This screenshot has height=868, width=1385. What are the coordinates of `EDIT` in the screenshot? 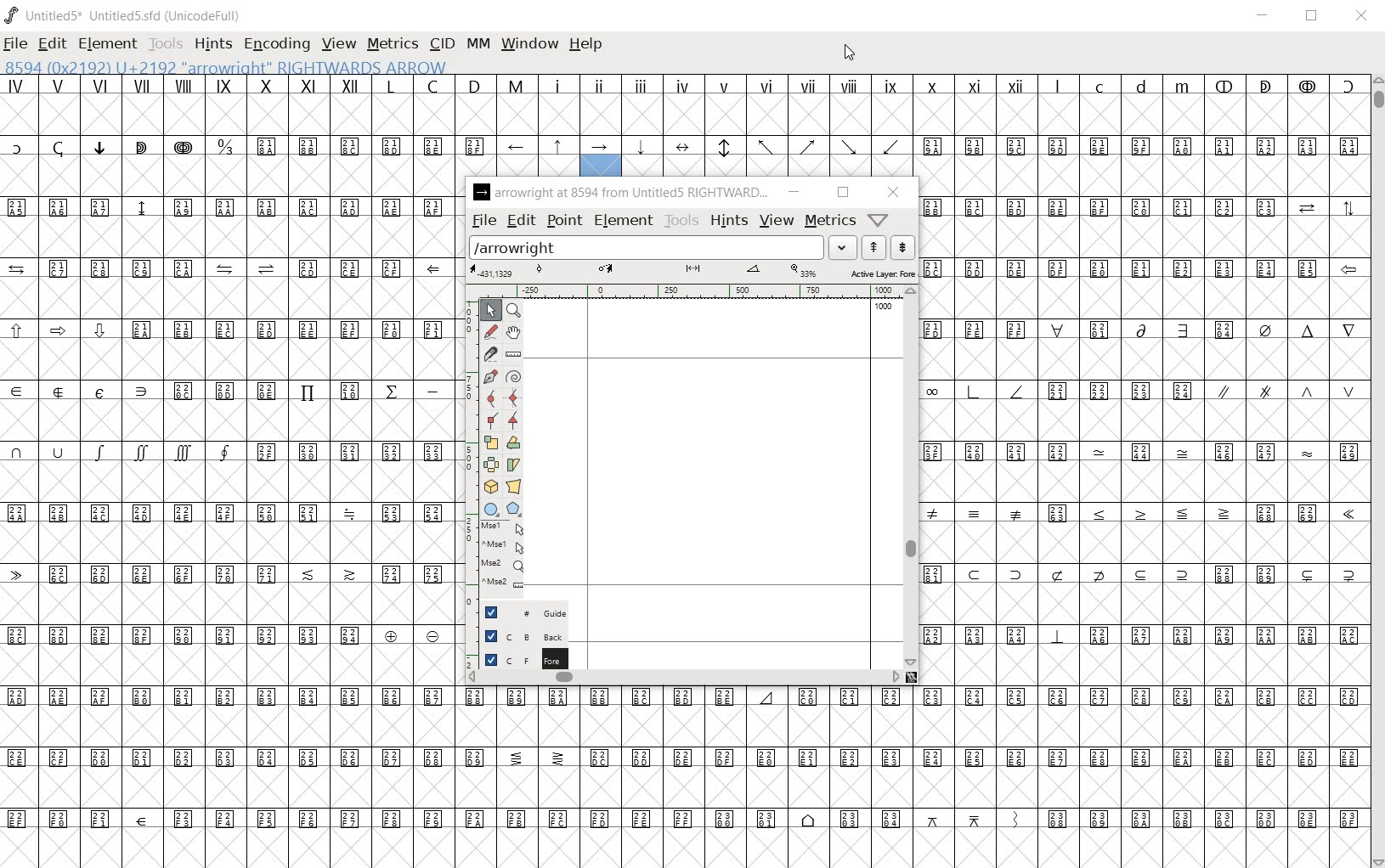 It's located at (52, 45).